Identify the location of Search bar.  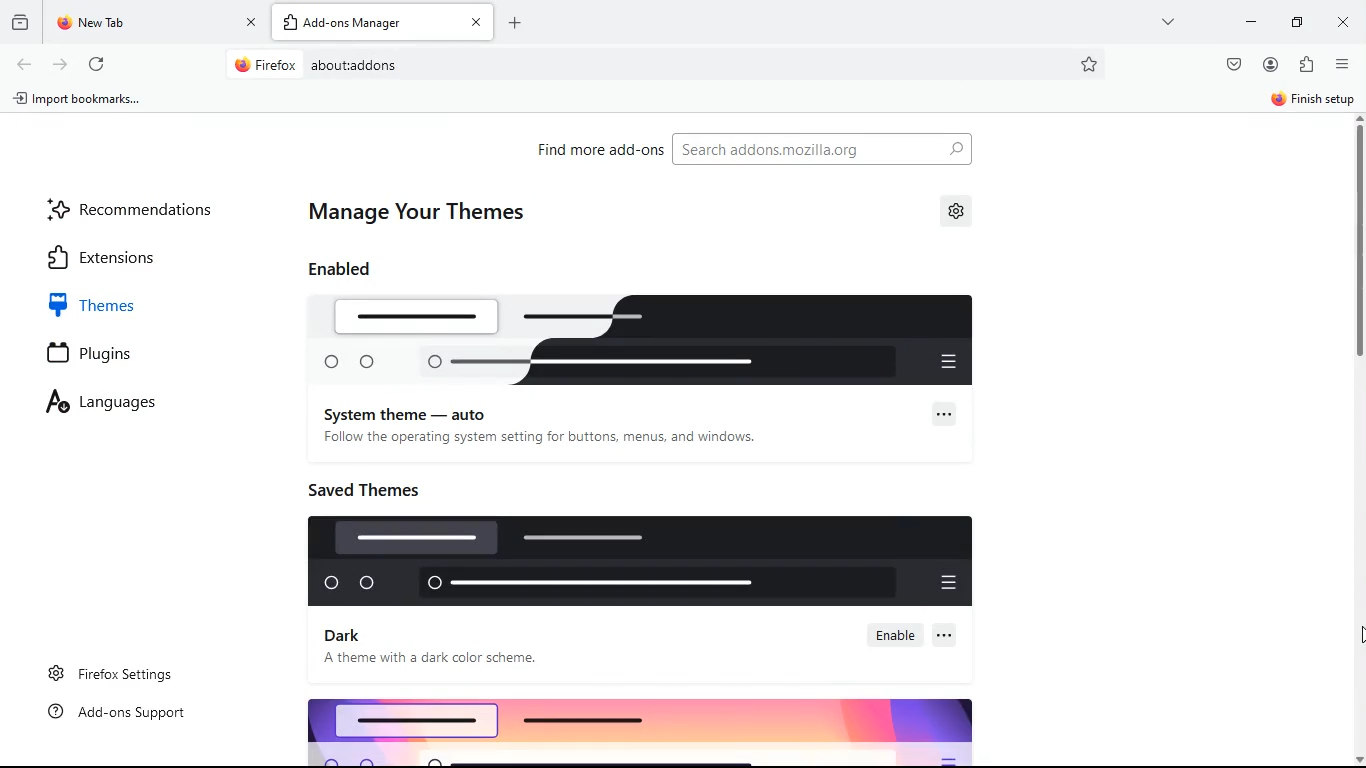
(670, 65).